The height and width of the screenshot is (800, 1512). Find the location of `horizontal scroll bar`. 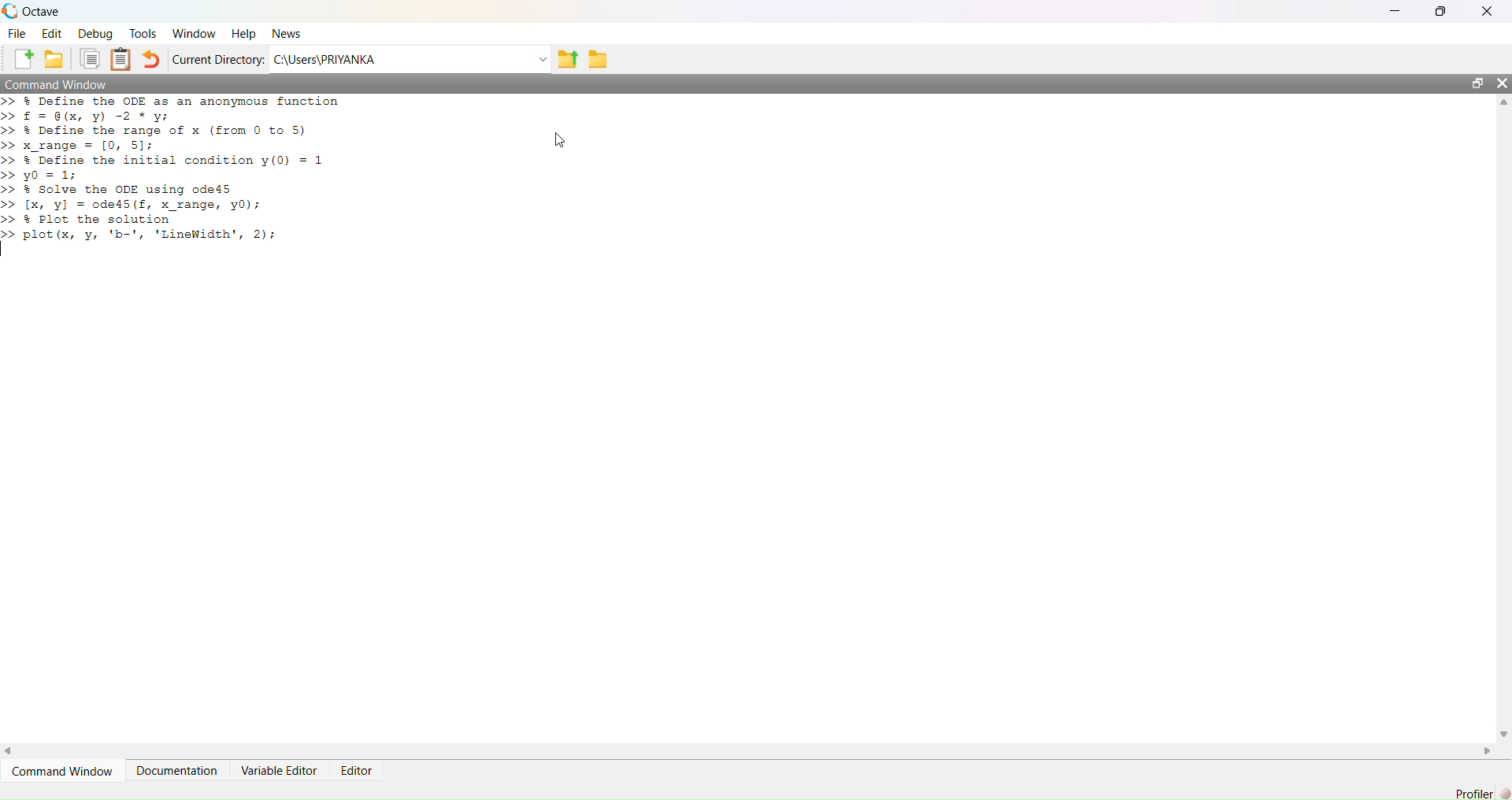

horizontal scroll bar is located at coordinates (749, 750).